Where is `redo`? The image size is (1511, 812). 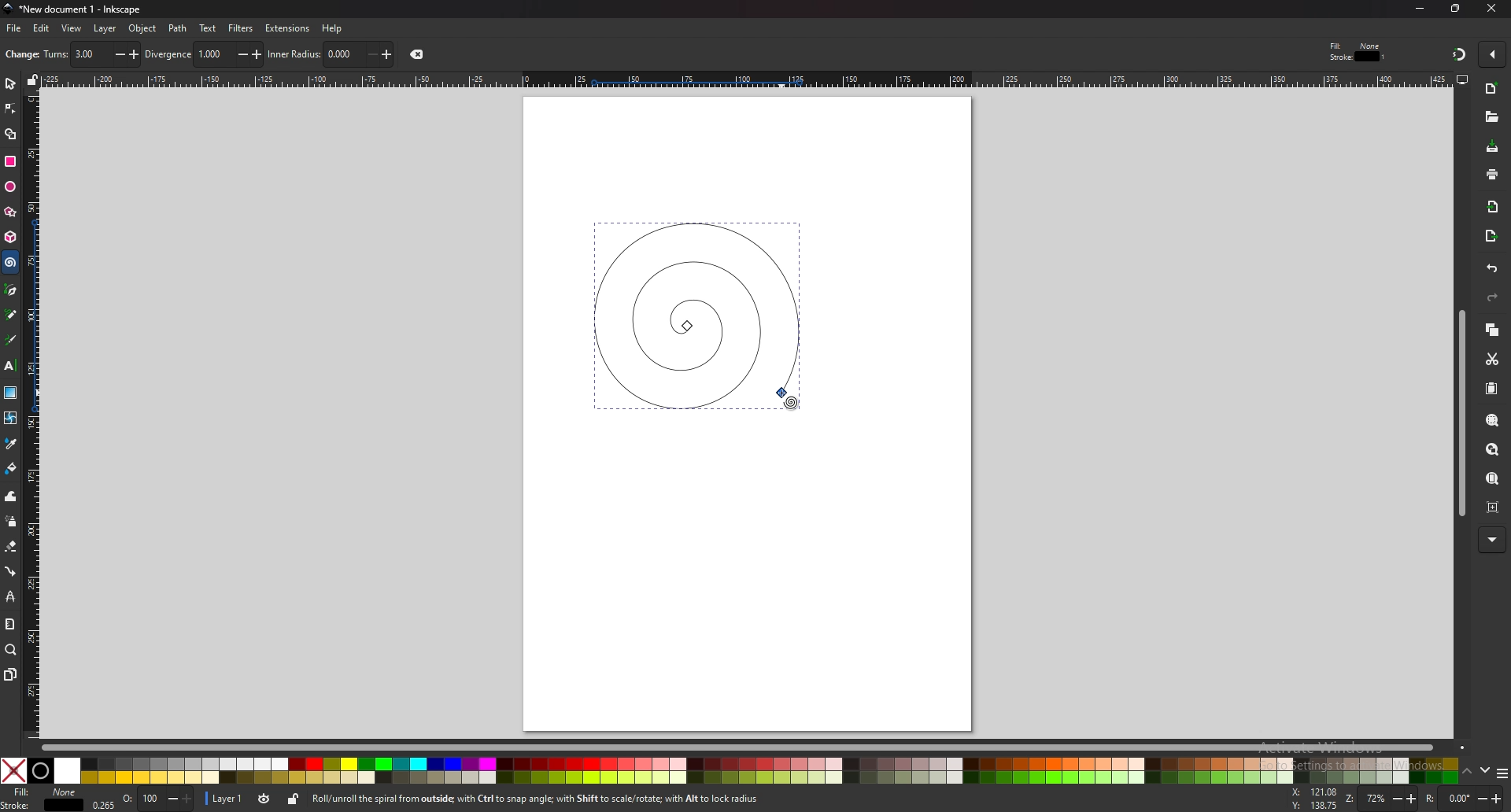 redo is located at coordinates (1494, 297).